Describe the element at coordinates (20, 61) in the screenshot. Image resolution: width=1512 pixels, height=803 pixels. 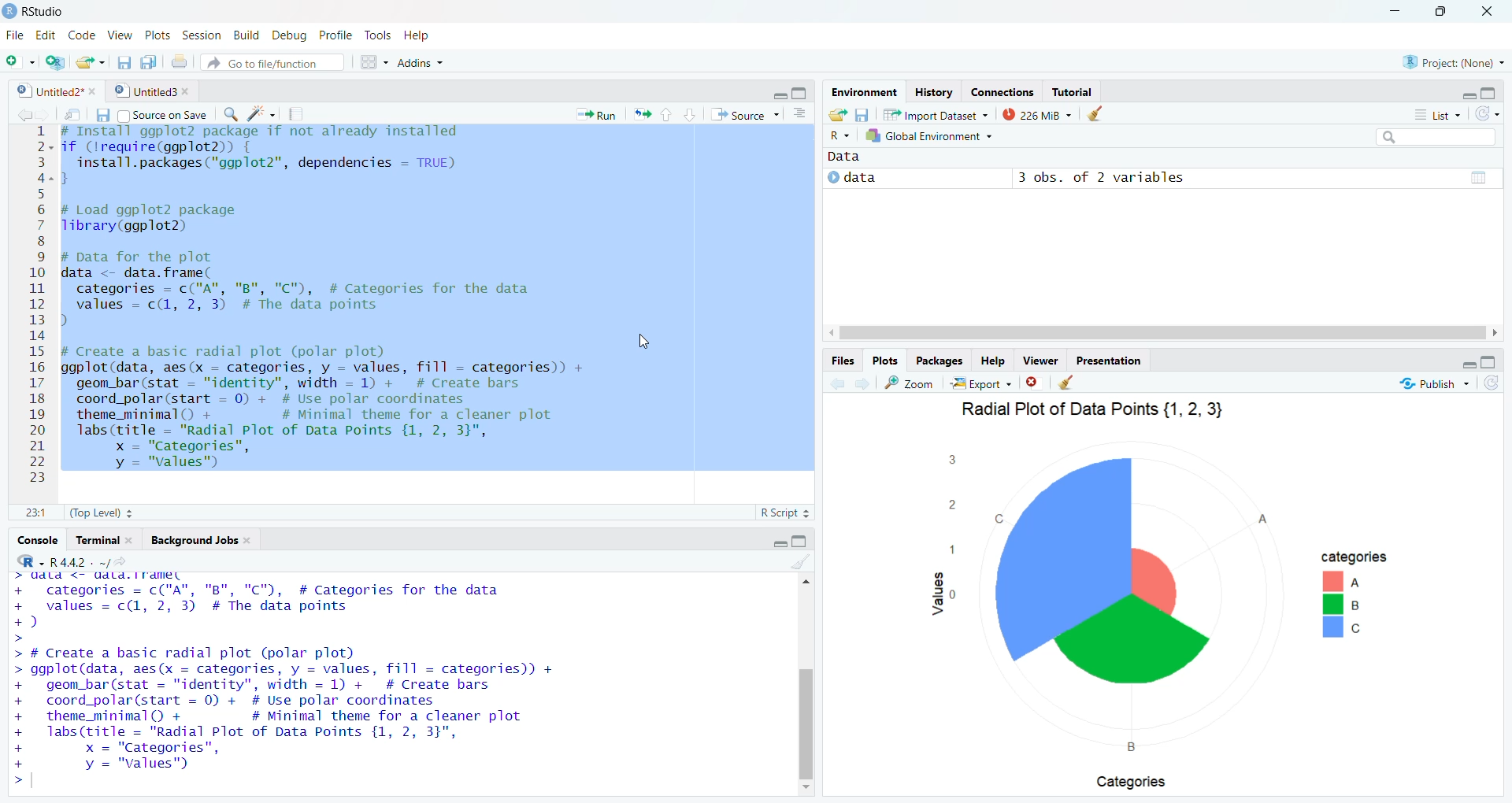
I see `new file` at that location.